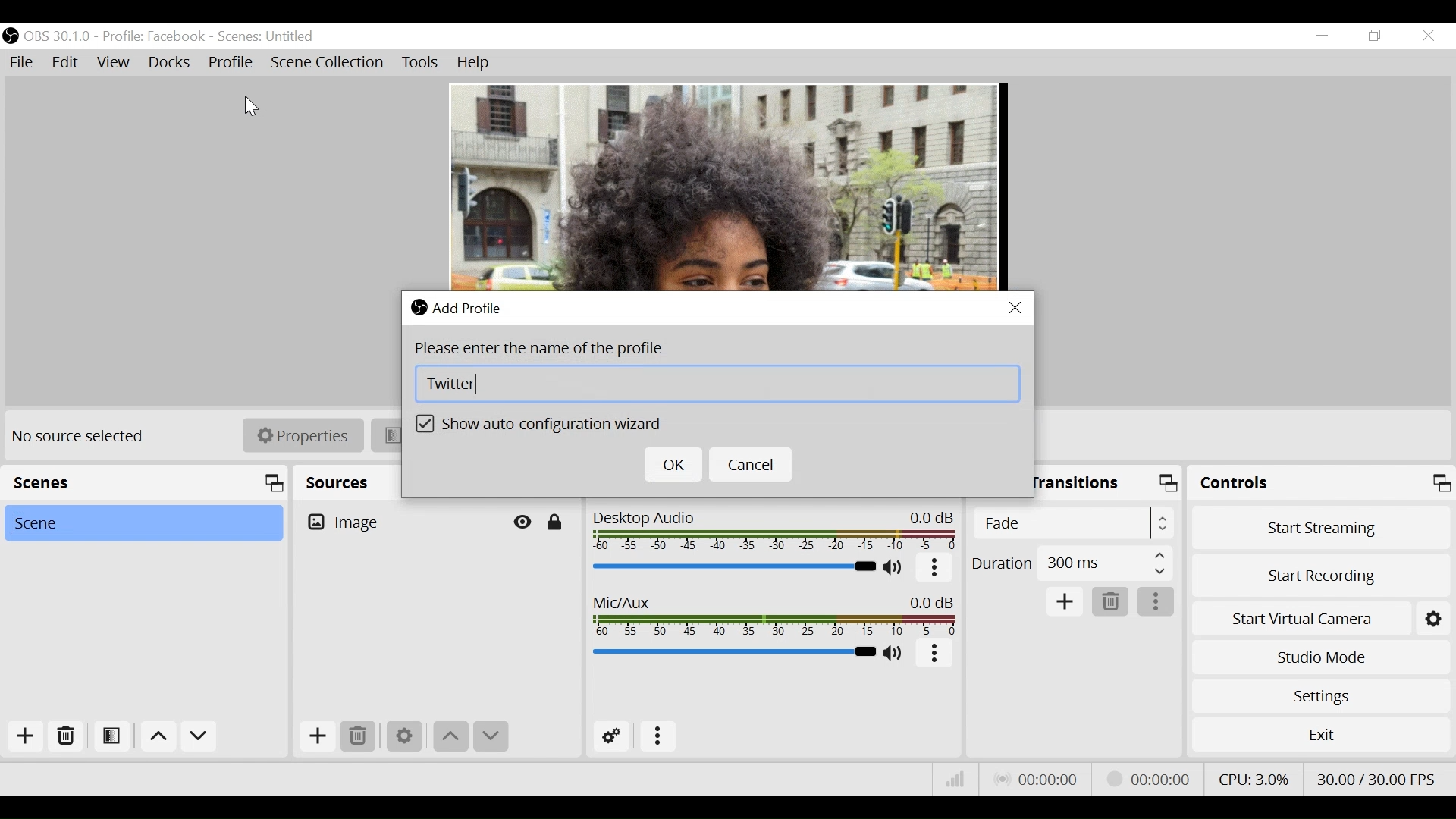 The width and height of the screenshot is (1456, 819). I want to click on Stream Status, so click(1150, 778).